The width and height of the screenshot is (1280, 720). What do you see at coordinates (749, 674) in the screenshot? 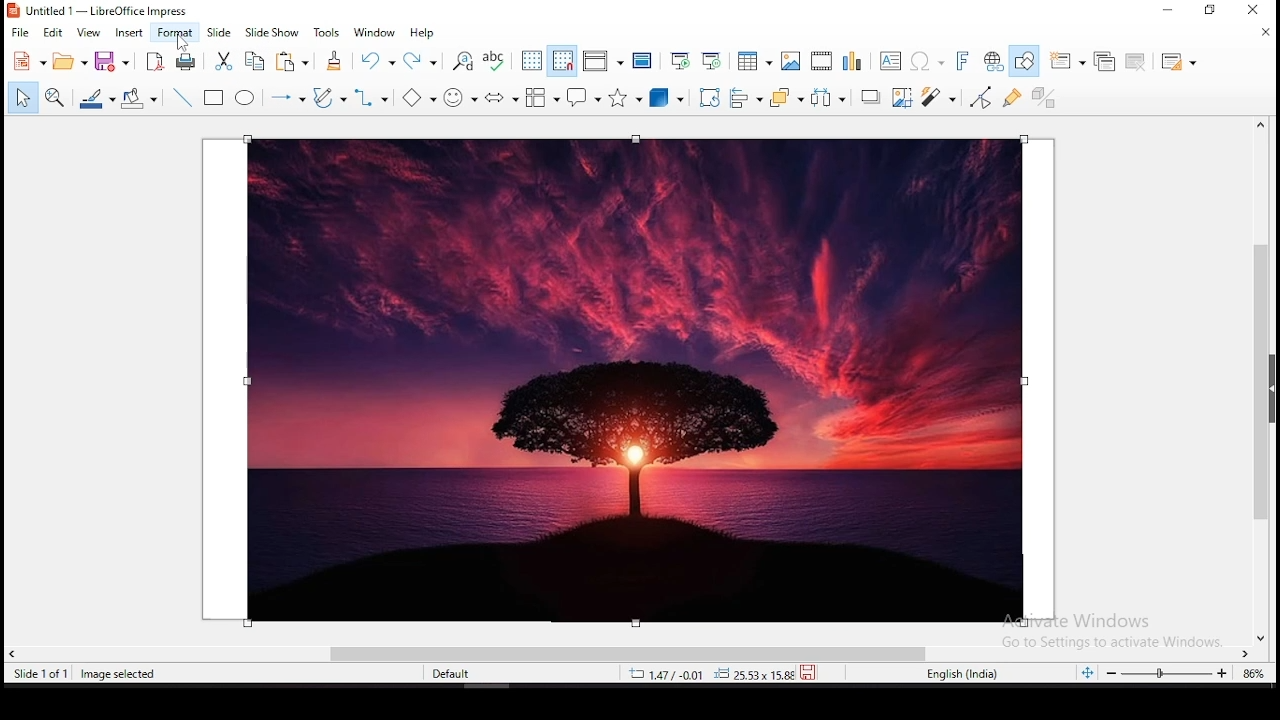
I see `0.00x0.00` at bounding box center [749, 674].